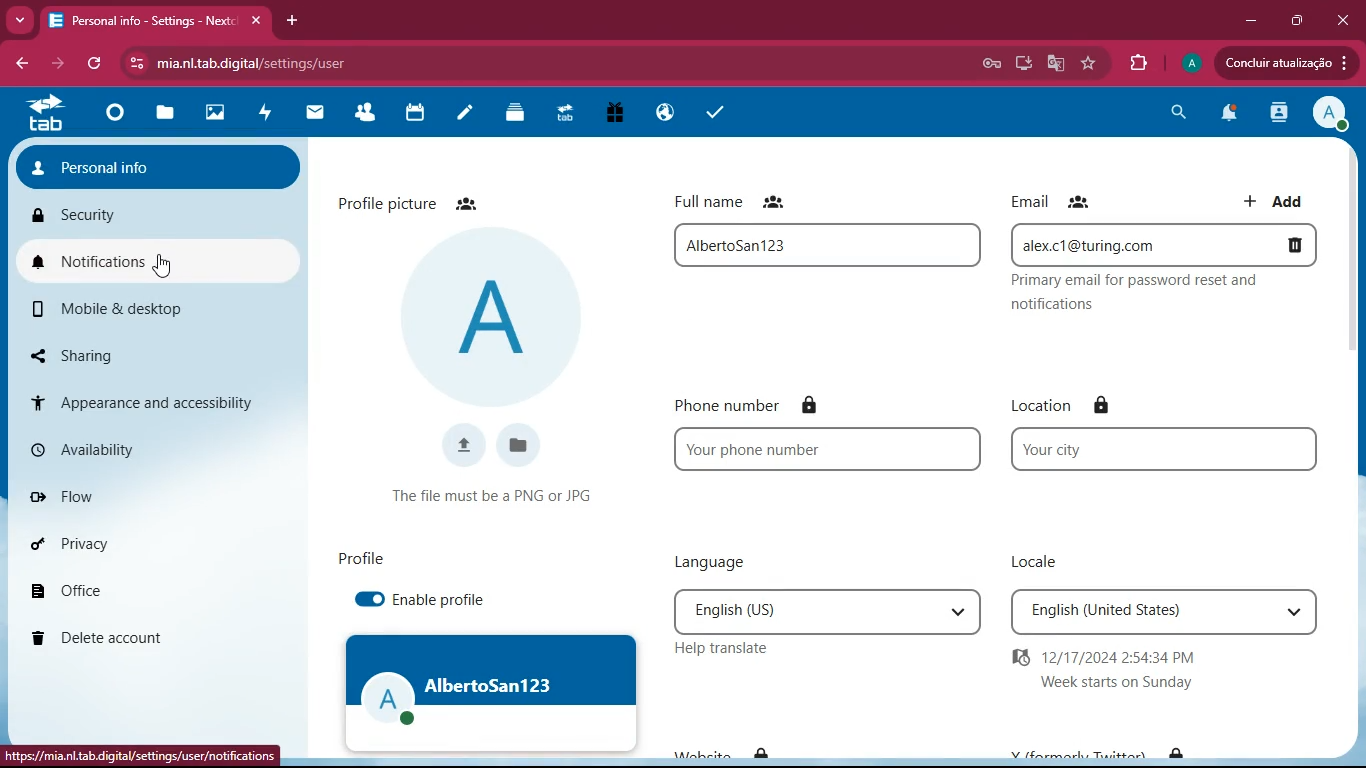  What do you see at coordinates (1089, 64) in the screenshot?
I see `favourites` at bounding box center [1089, 64].